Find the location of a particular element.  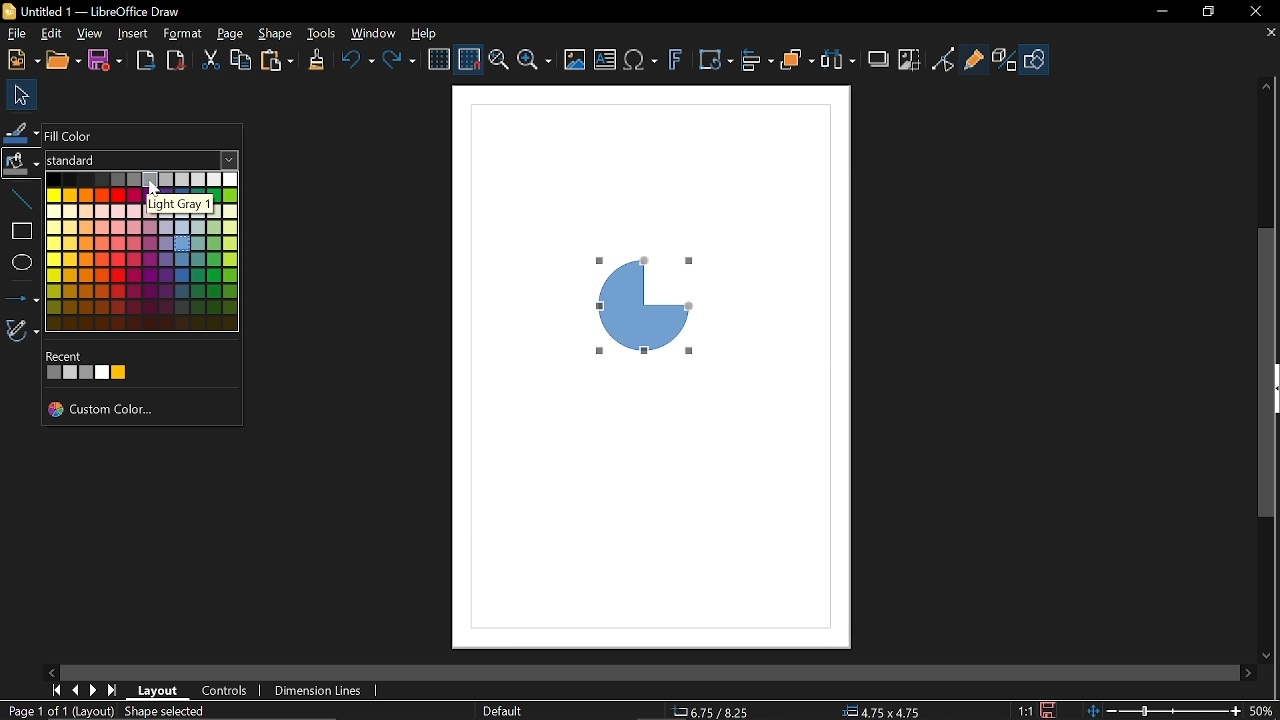

Toggle extrusion is located at coordinates (1004, 61).